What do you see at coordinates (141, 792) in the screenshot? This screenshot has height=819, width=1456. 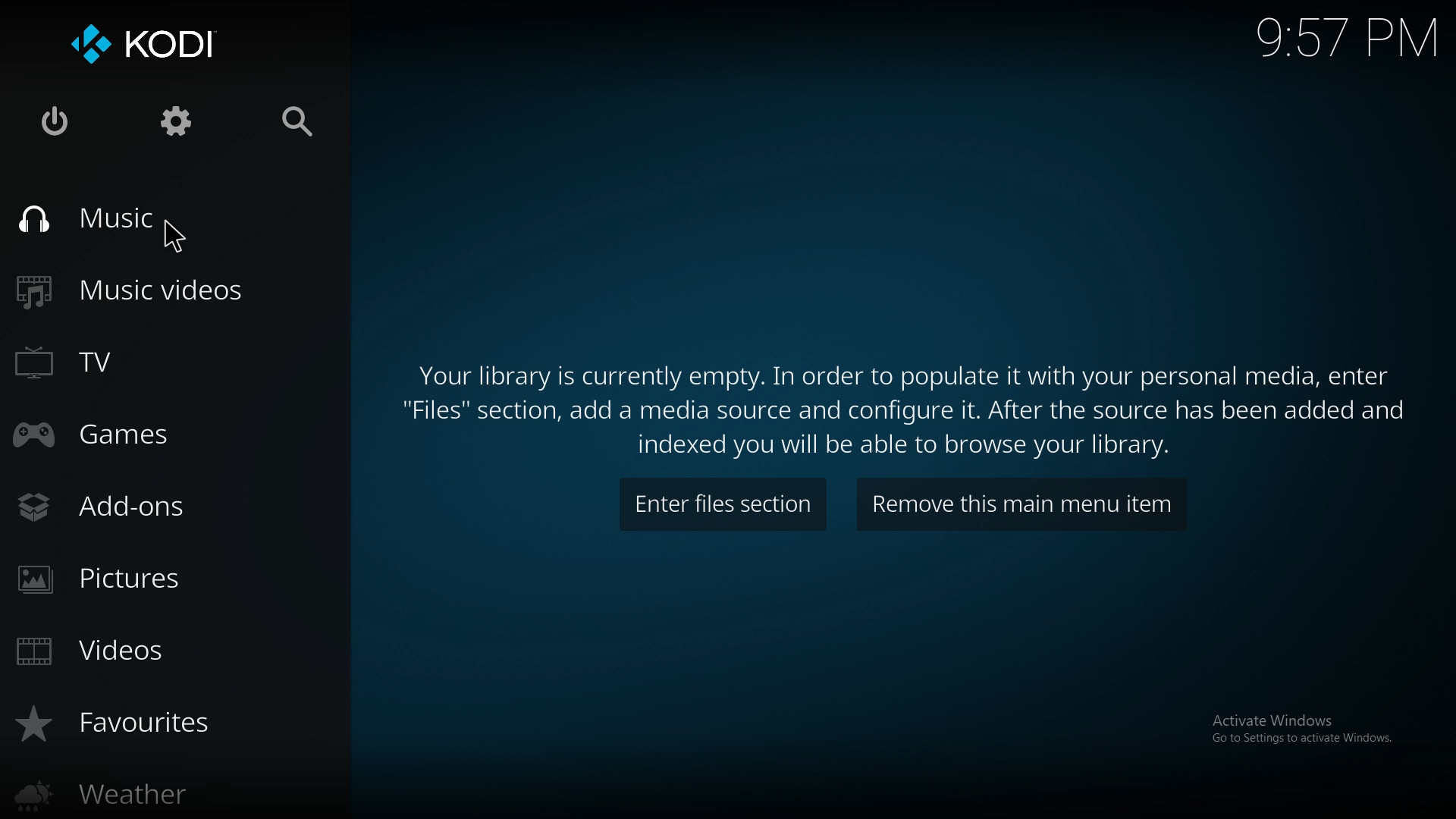 I see `weather` at bounding box center [141, 792].